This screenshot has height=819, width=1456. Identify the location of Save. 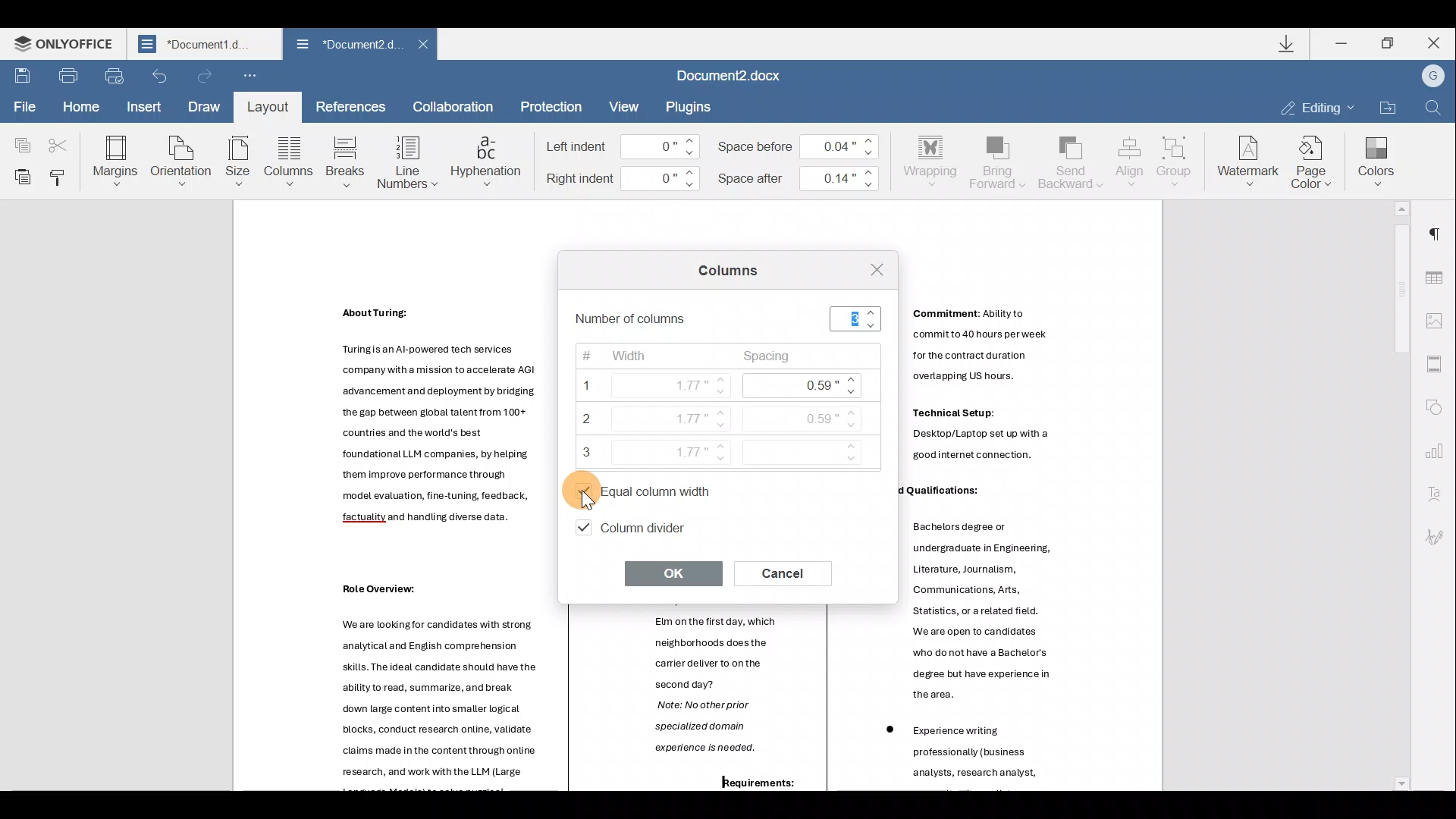
(20, 77).